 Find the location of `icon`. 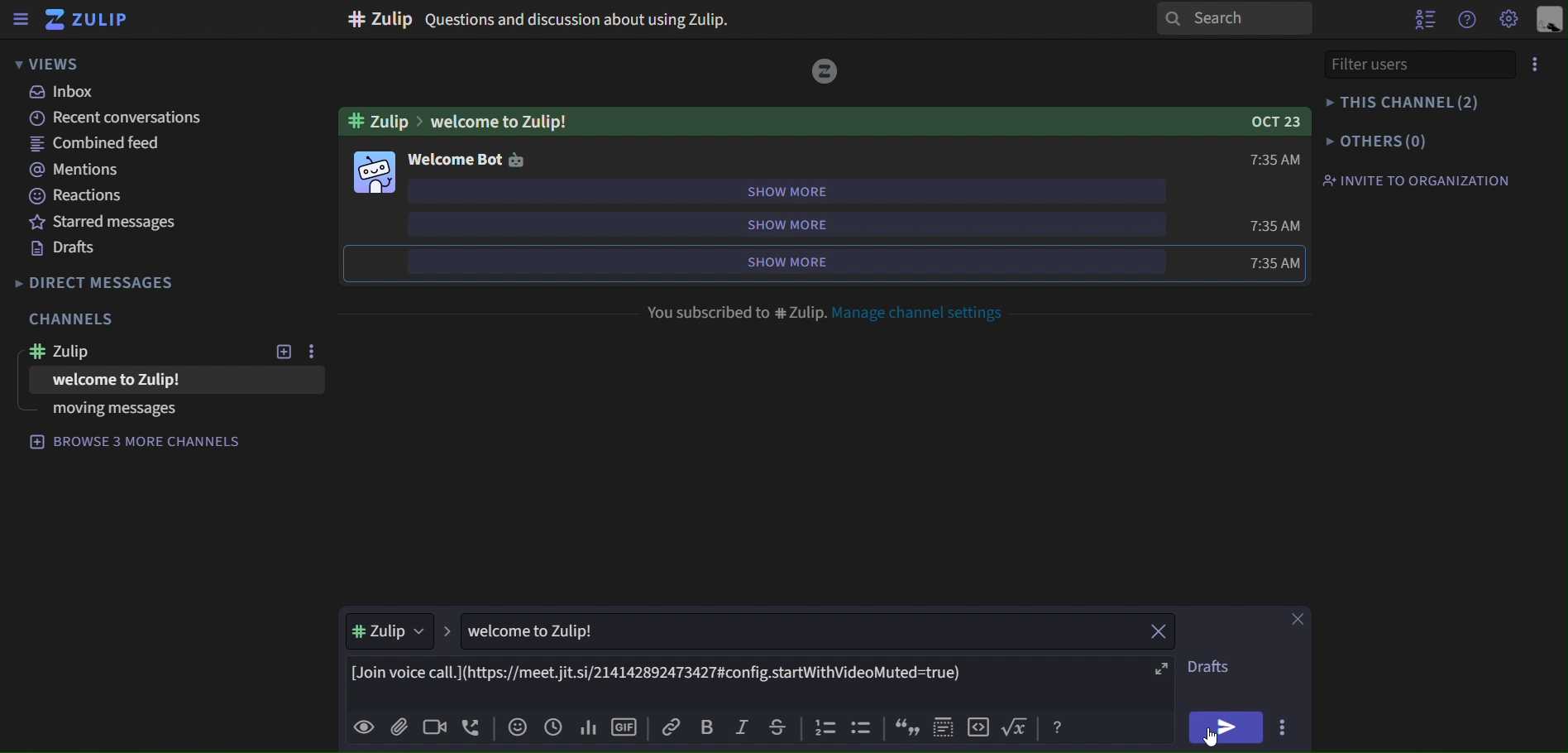

icon is located at coordinates (978, 728).